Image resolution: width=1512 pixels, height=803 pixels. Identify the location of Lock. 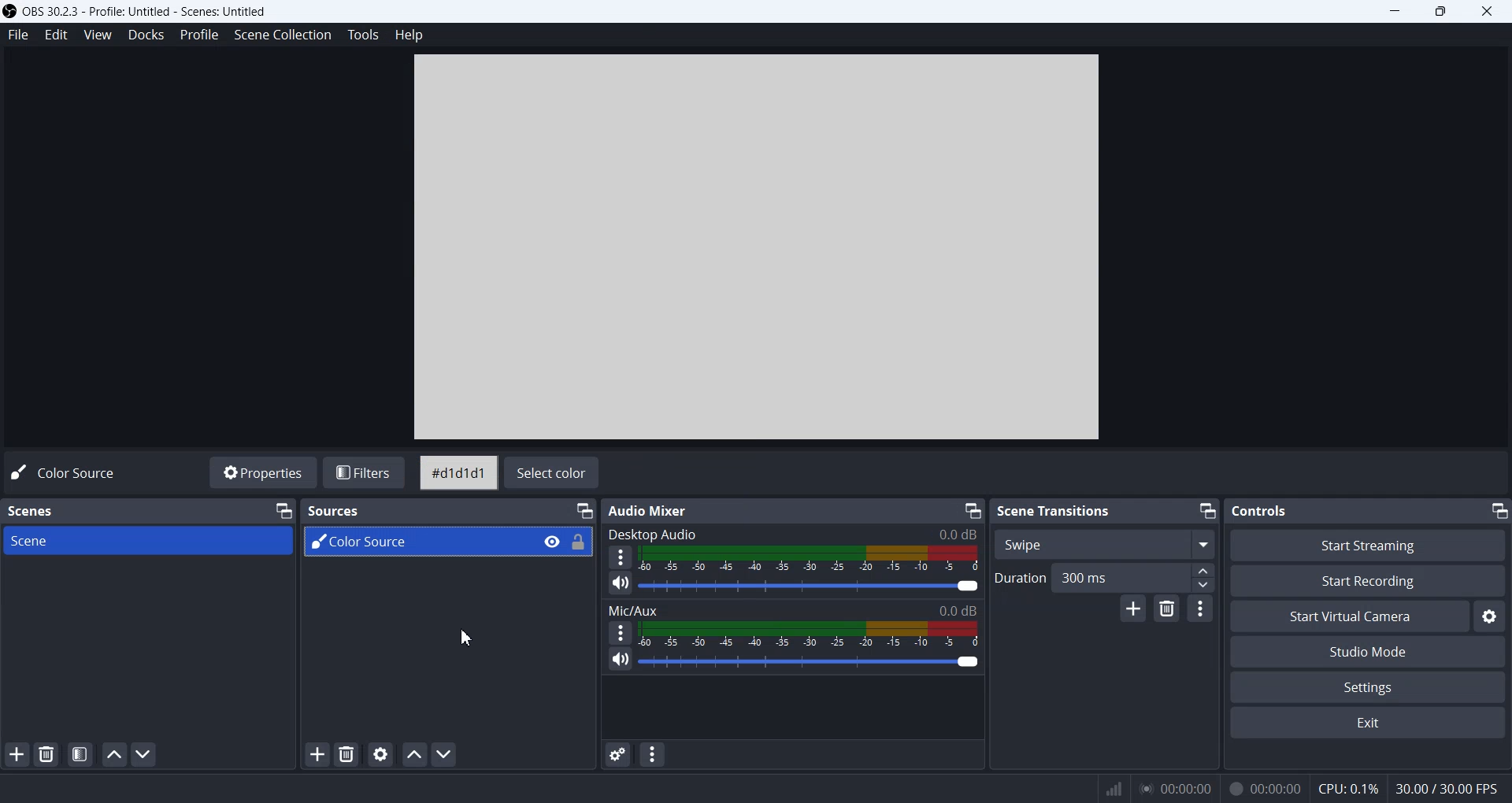
(579, 542).